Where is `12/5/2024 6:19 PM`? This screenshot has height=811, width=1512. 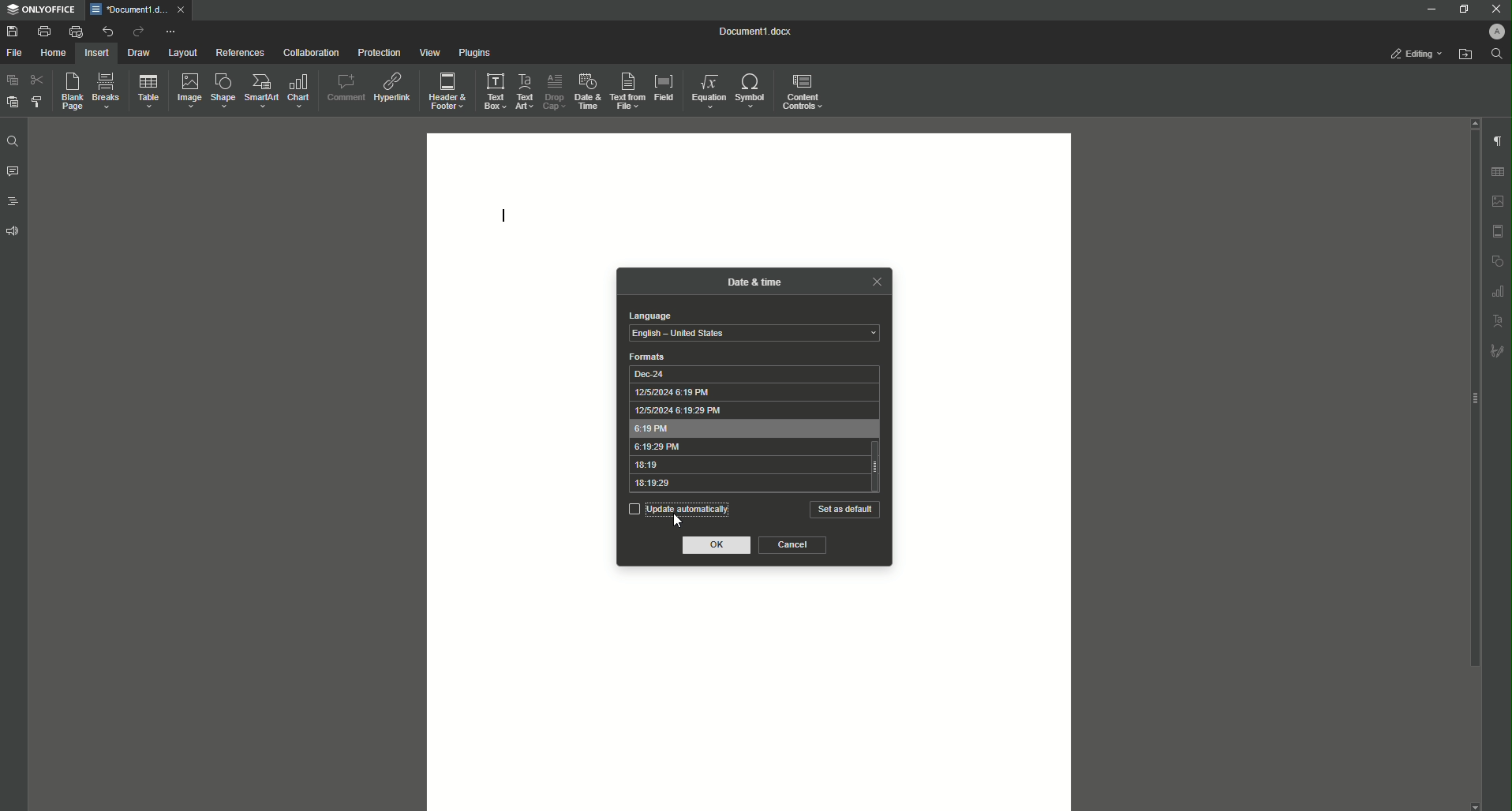
12/5/2024 6:19 PM is located at coordinates (747, 392).